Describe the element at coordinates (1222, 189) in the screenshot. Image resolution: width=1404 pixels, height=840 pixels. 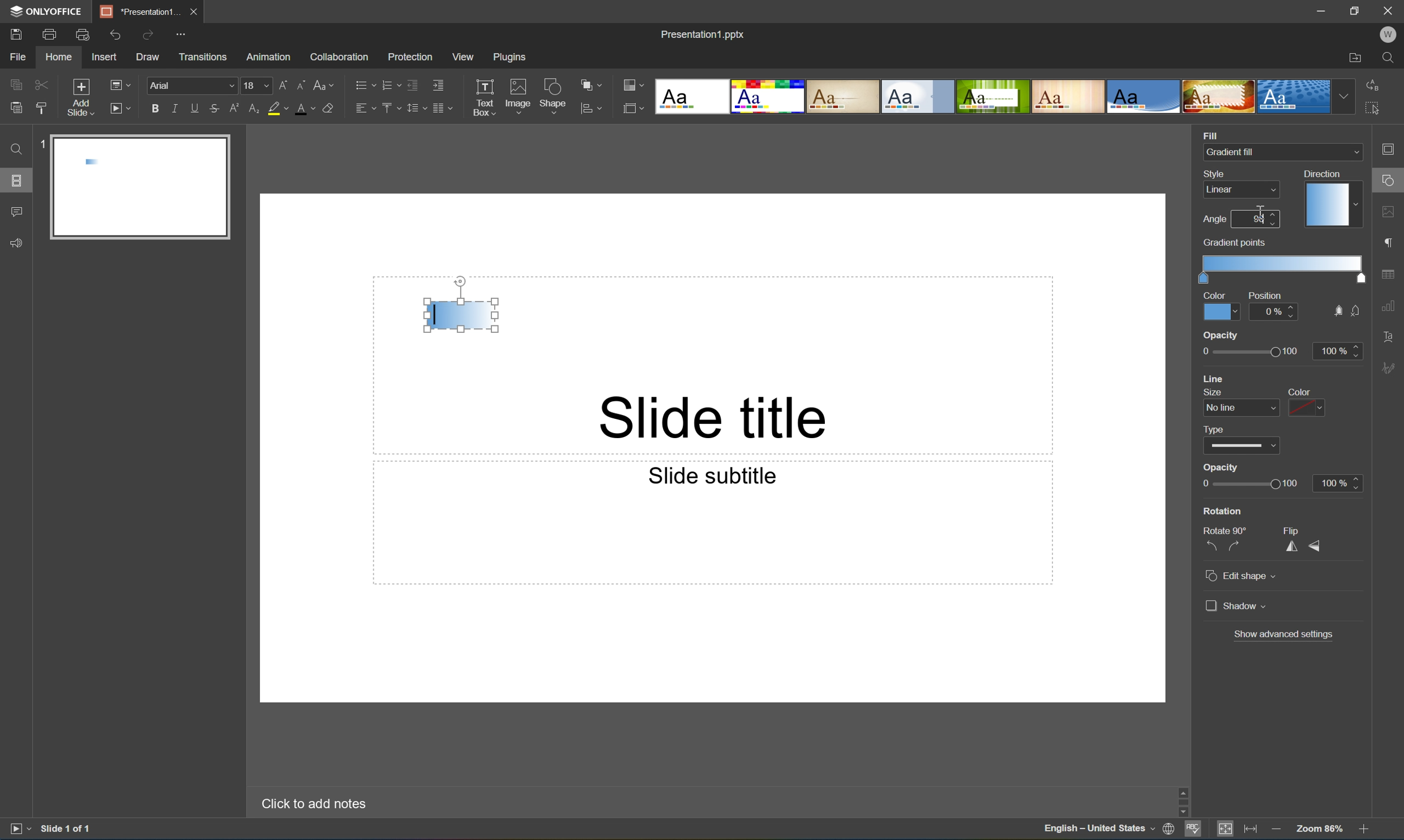
I see `Linear` at that location.